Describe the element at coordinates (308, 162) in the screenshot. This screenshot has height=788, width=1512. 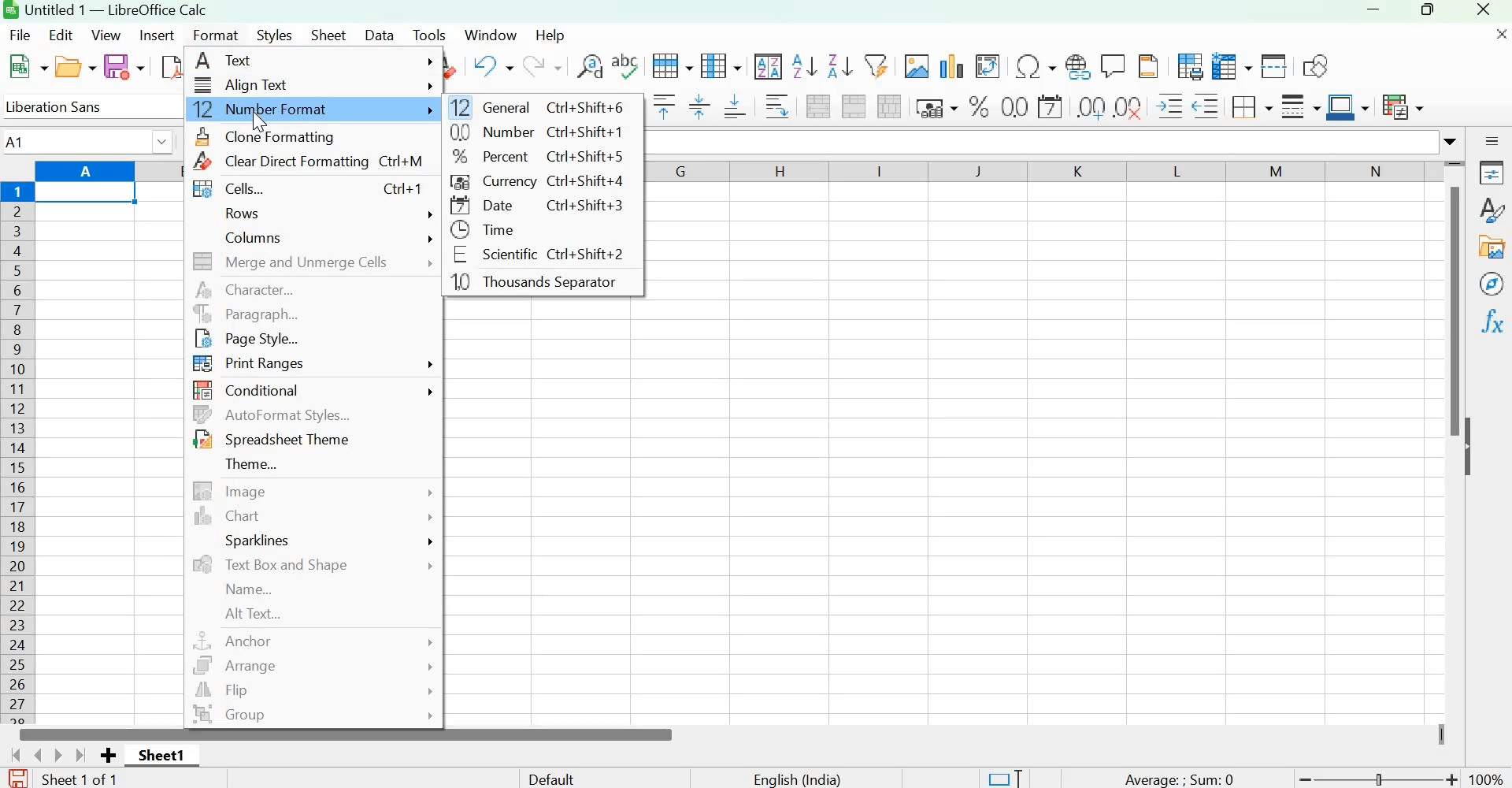
I see `Clear Direct Formatting` at that location.